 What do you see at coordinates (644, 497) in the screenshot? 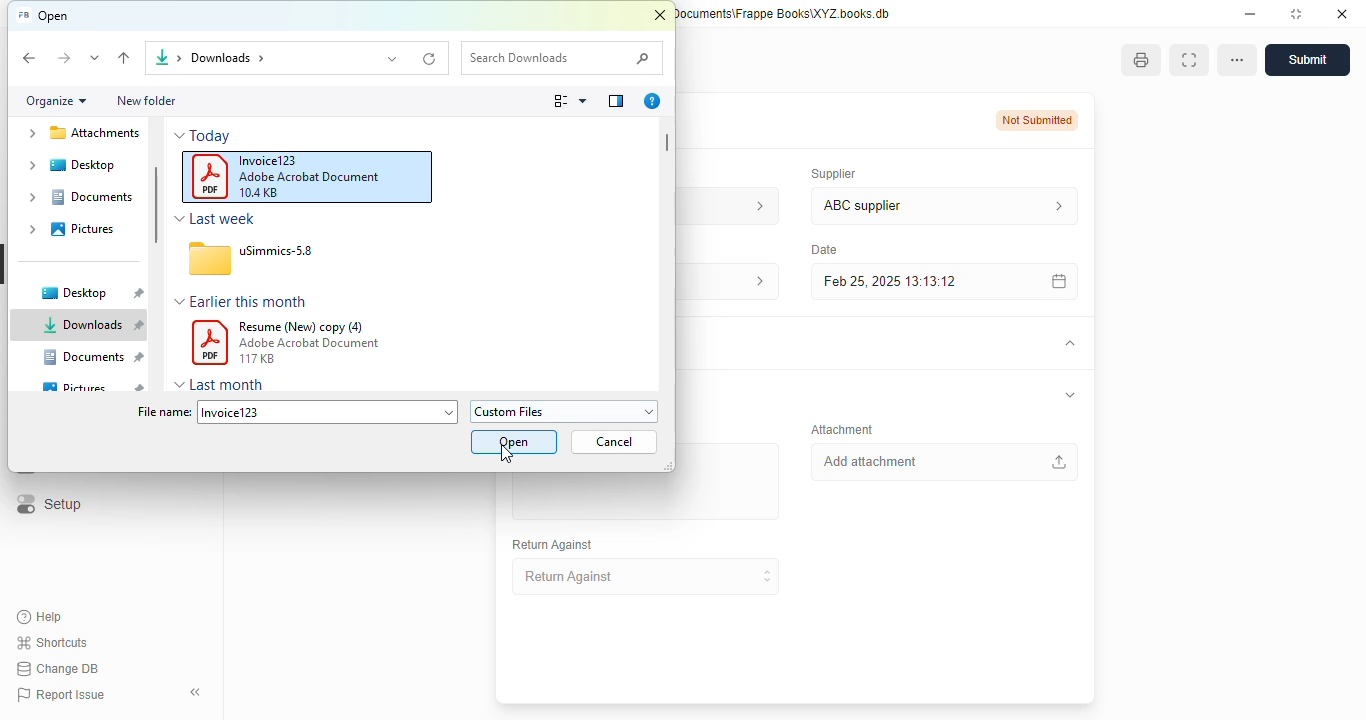
I see `add invoice items` at bounding box center [644, 497].